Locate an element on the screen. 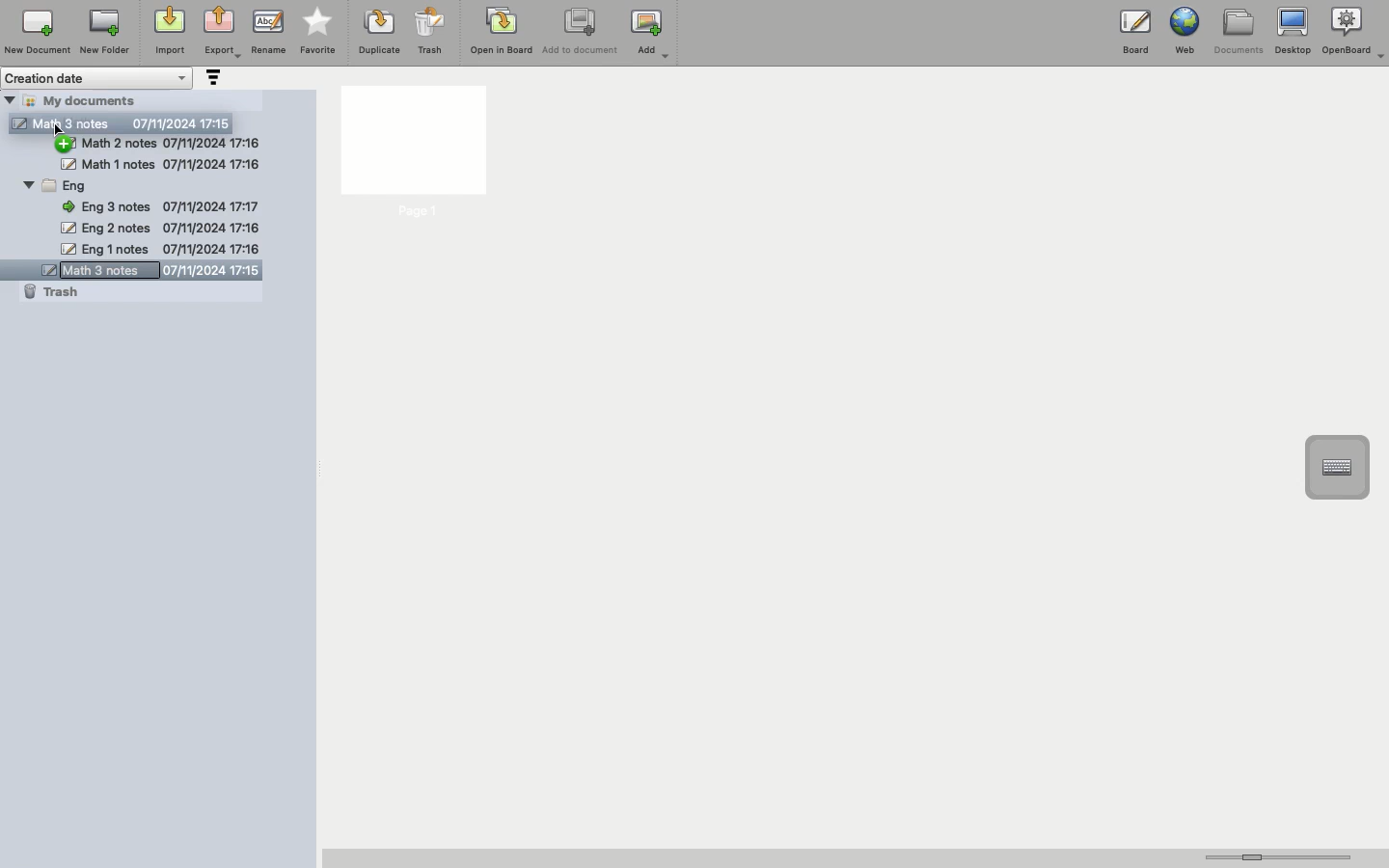 Image resolution: width=1389 pixels, height=868 pixels. Eng 3 notes 07/11/2024 is located at coordinates (167, 205).